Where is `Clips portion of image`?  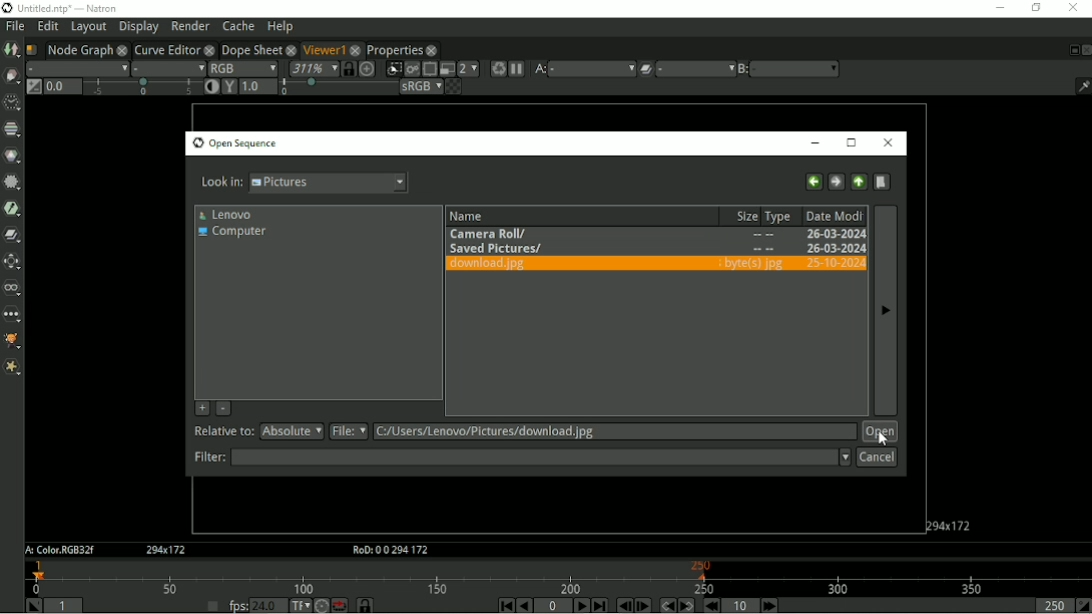
Clips portion of image is located at coordinates (393, 69).